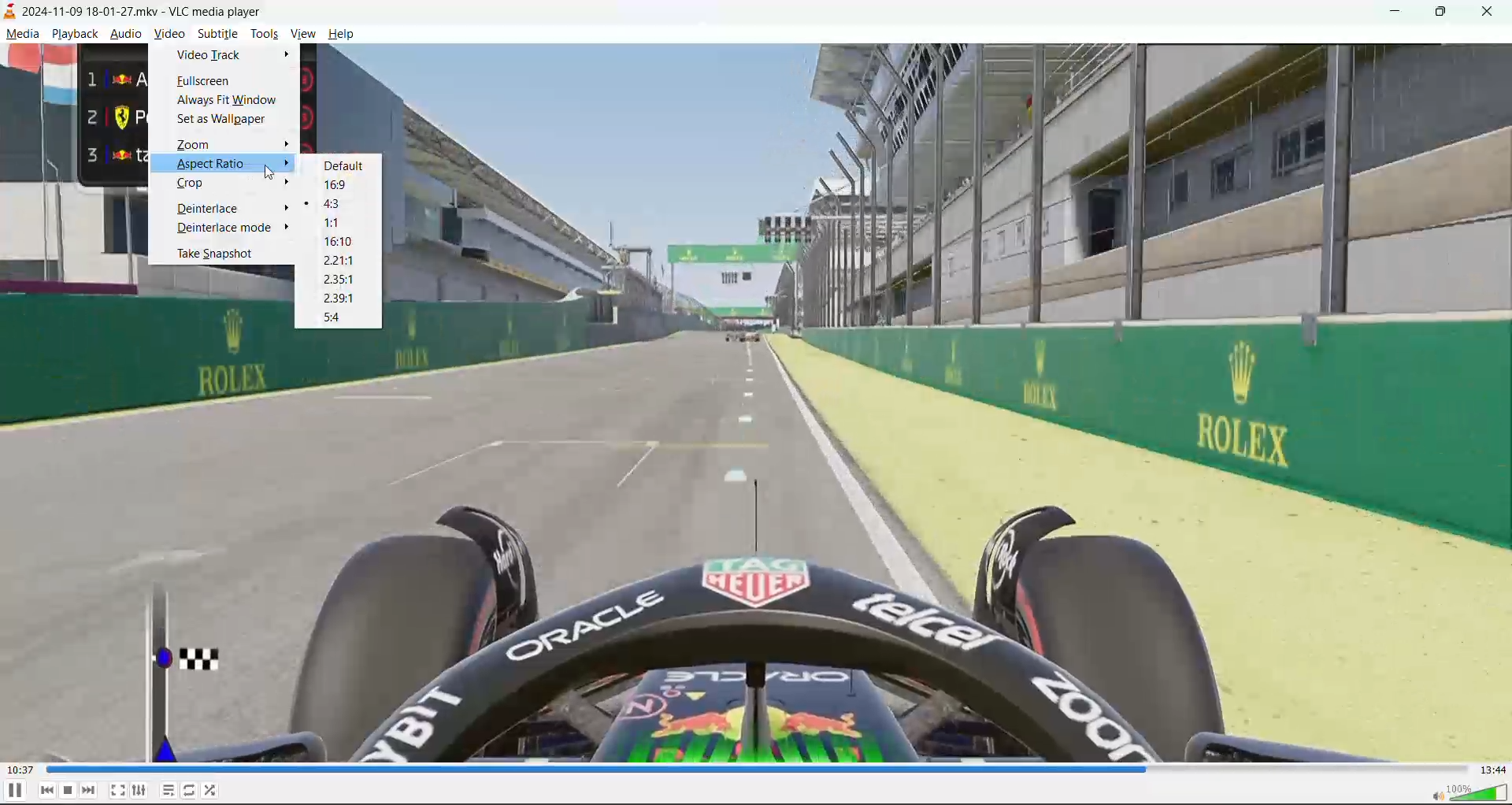 Image resolution: width=1512 pixels, height=805 pixels. Describe the element at coordinates (339, 300) in the screenshot. I see `2.39:1` at that location.